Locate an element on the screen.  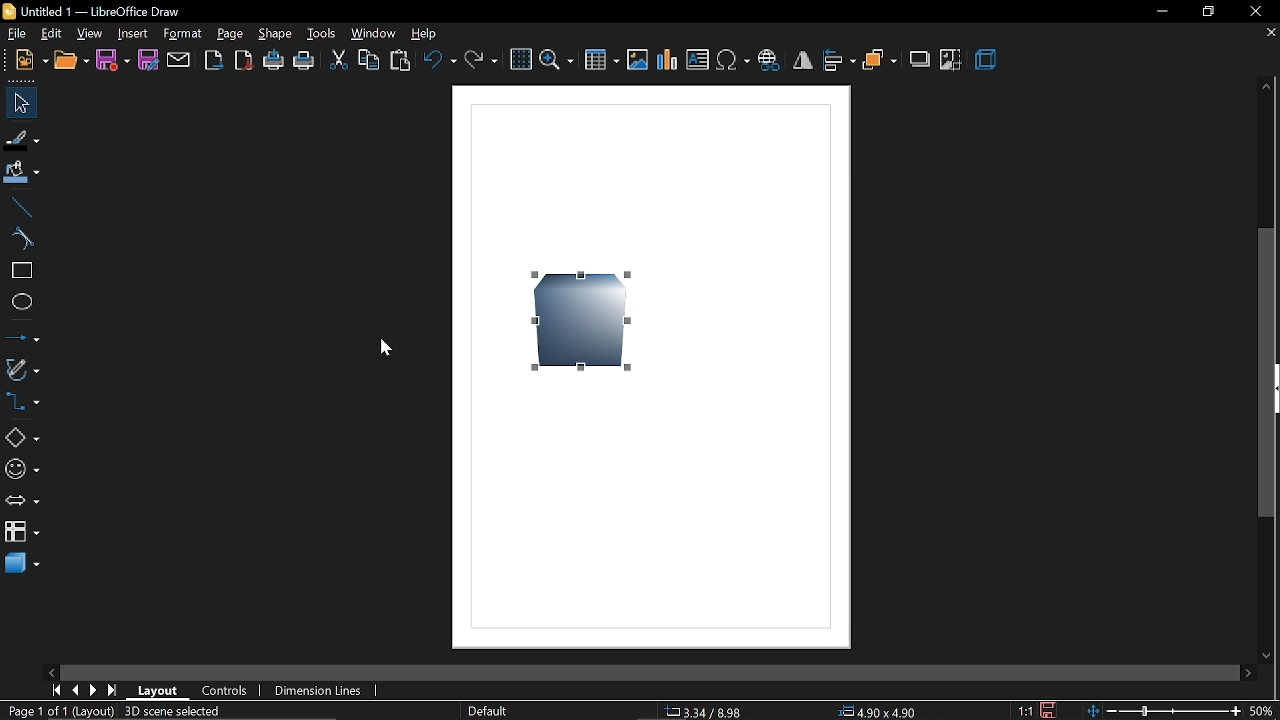
rectangle is located at coordinates (21, 272).